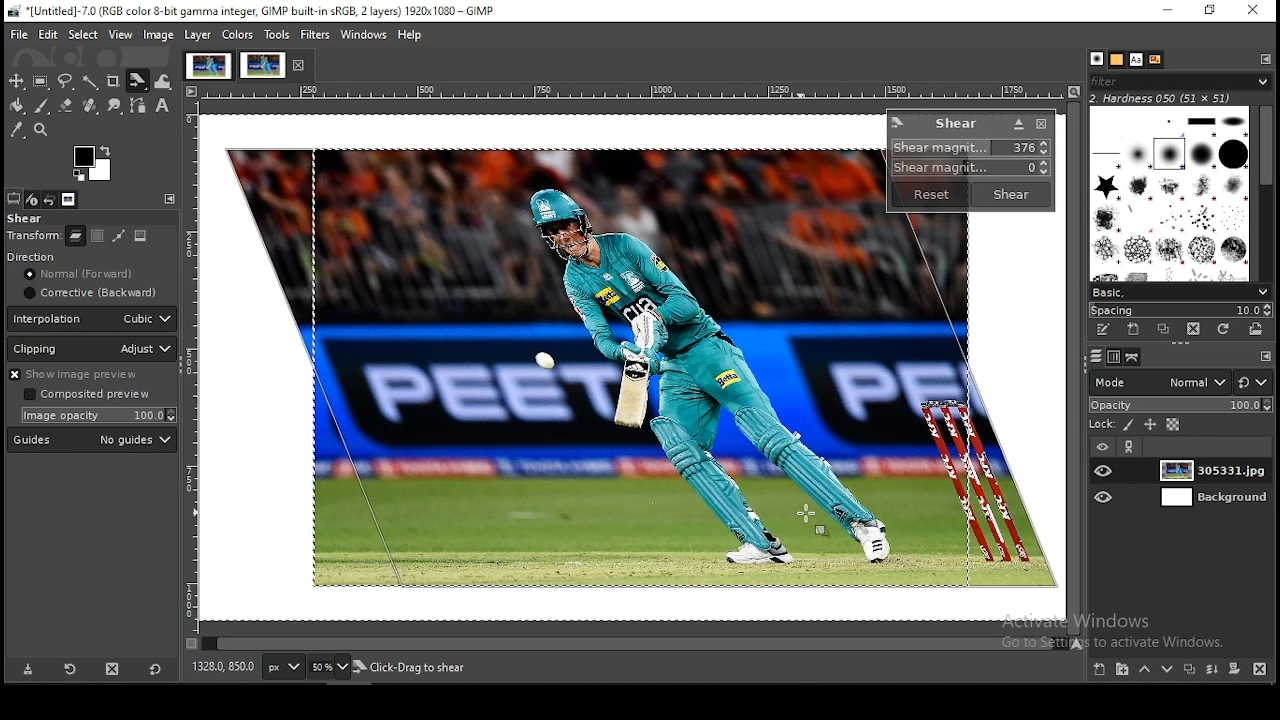 The width and height of the screenshot is (1280, 720). What do you see at coordinates (208, 66) in the screenshot?
I see `project tab 1` at bounding box center [208, 66].